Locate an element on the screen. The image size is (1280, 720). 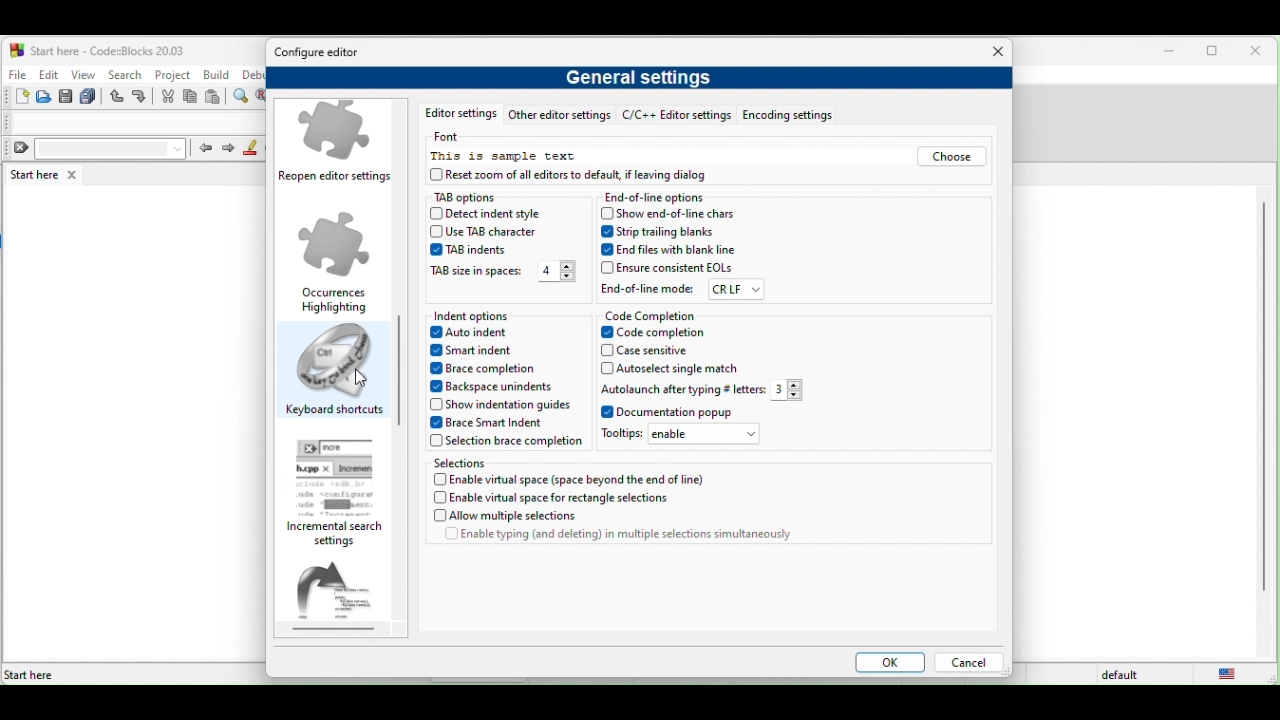
vertical scroll bar is located at coordinates (1262, 398).